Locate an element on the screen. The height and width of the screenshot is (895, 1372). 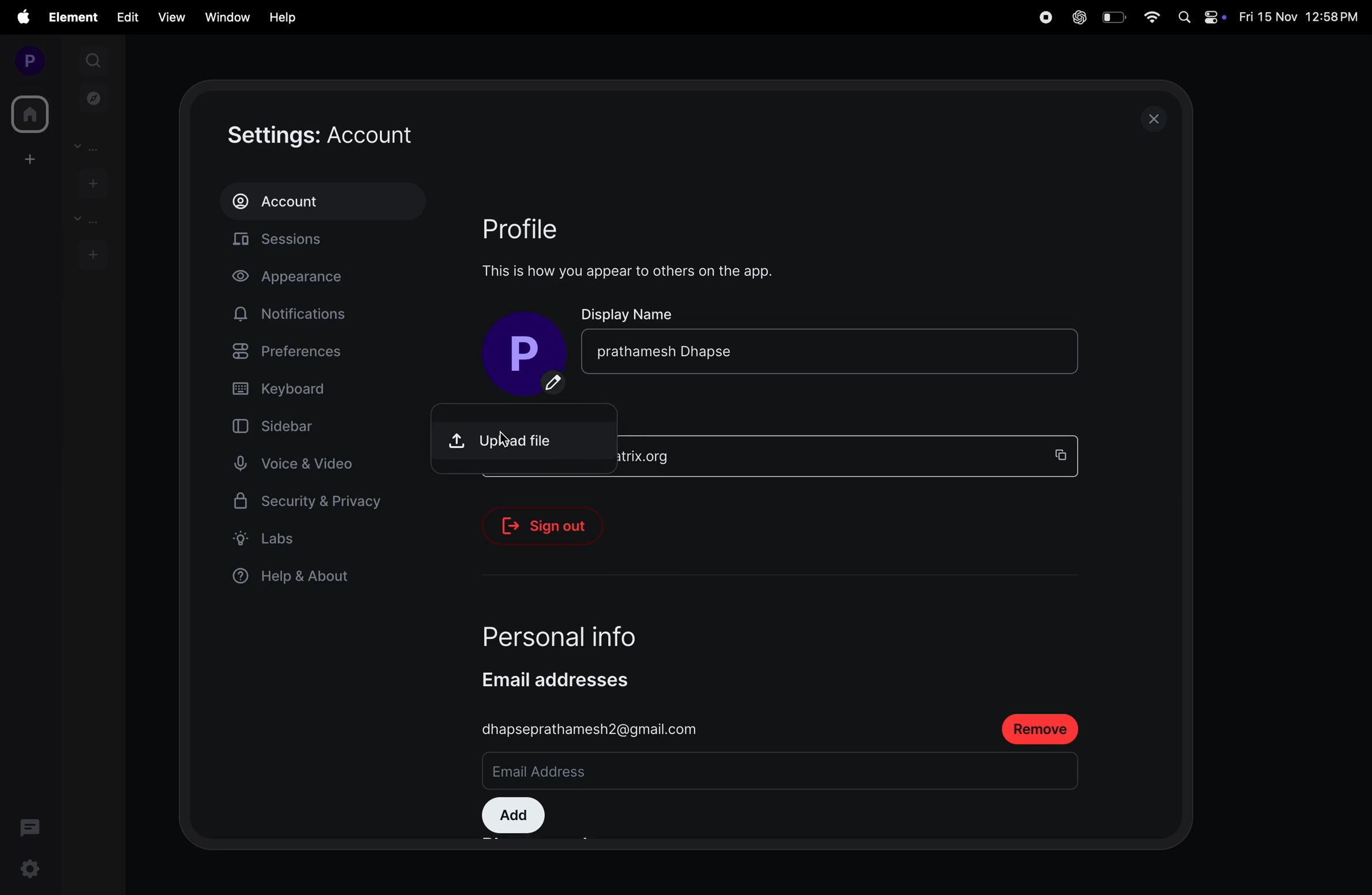
apple widgets is located at coordinates (1201, 16).